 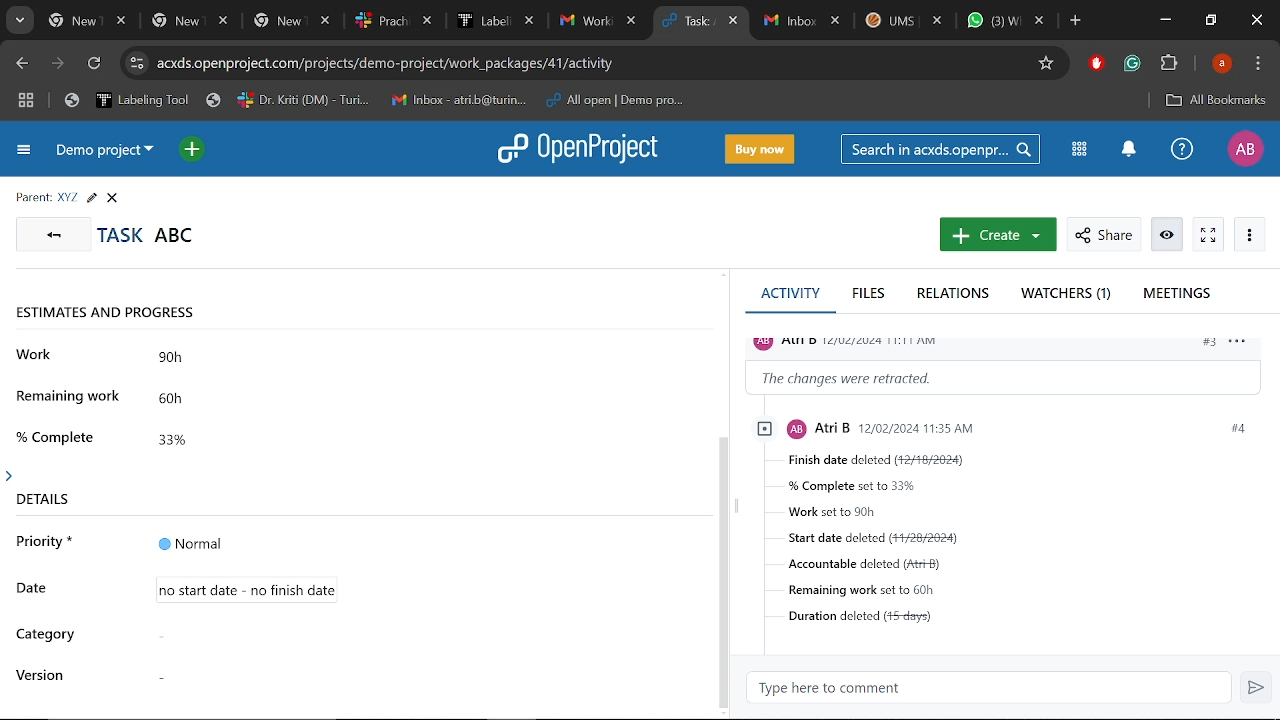 I want to click on More, so click(x=1248, y=233).